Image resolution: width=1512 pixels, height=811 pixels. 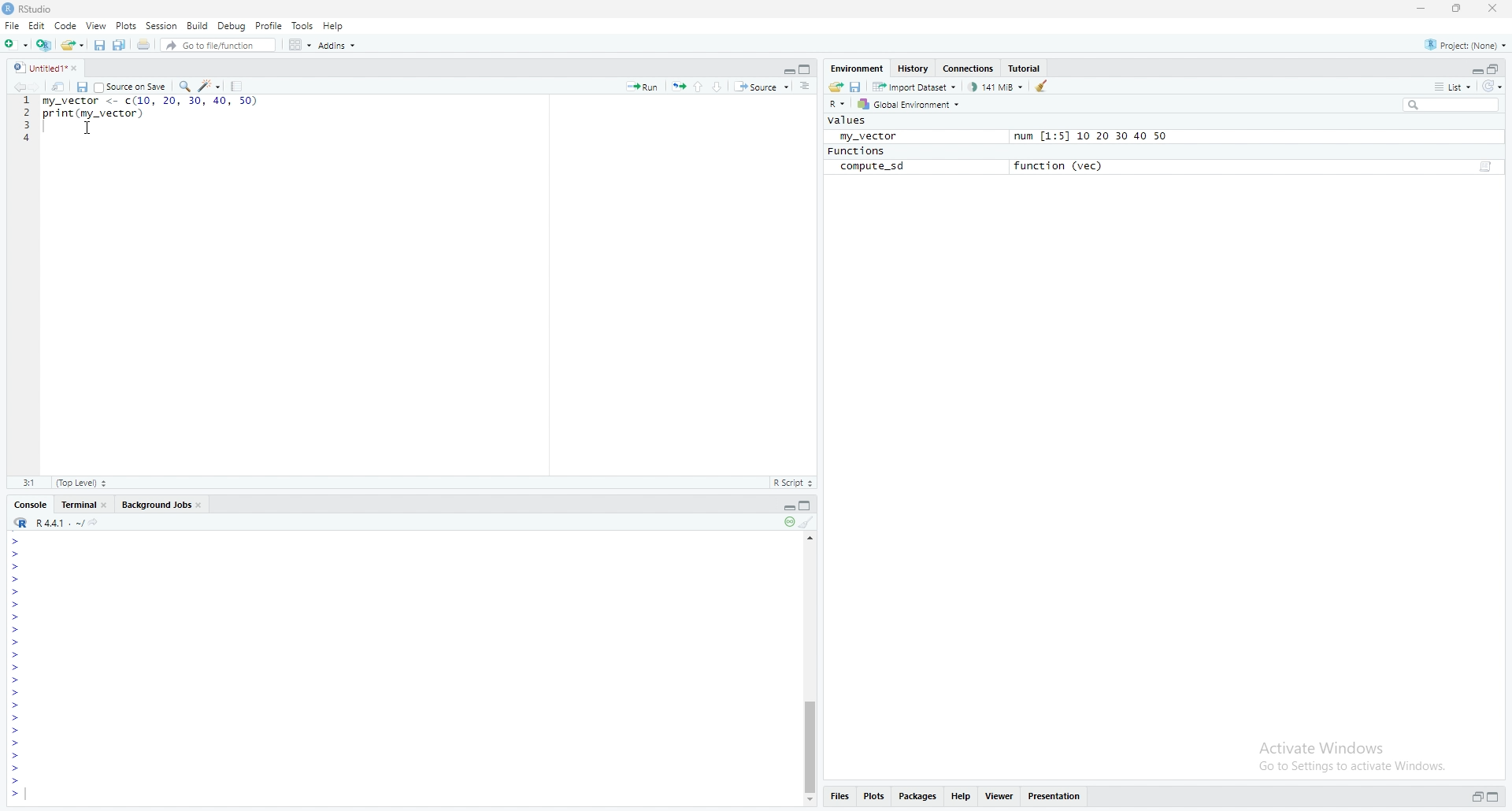 I want to click on Plots, so click(x=126, y=25).